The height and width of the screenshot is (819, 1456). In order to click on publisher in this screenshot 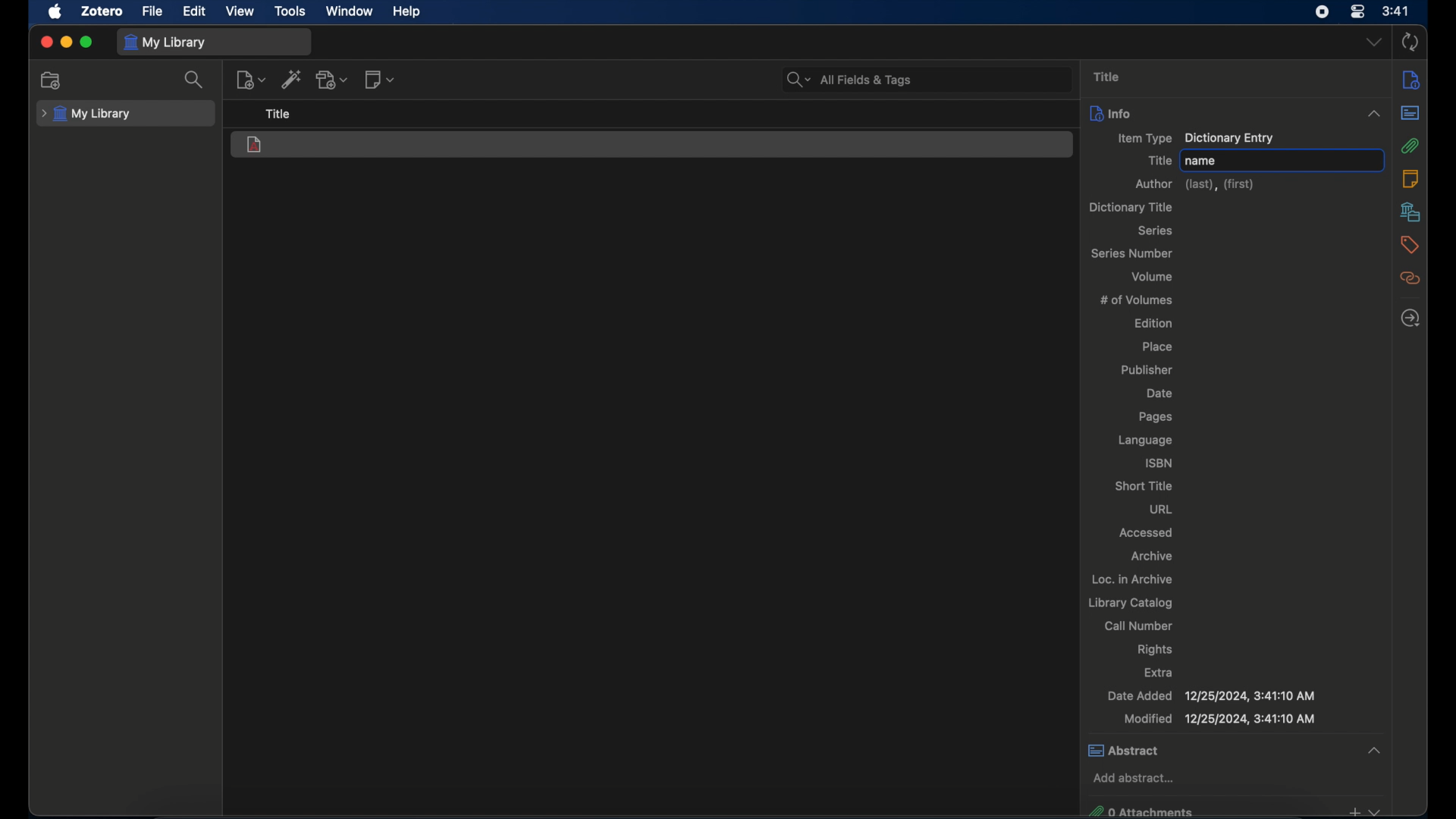, I will do `click(1147, 371)`.